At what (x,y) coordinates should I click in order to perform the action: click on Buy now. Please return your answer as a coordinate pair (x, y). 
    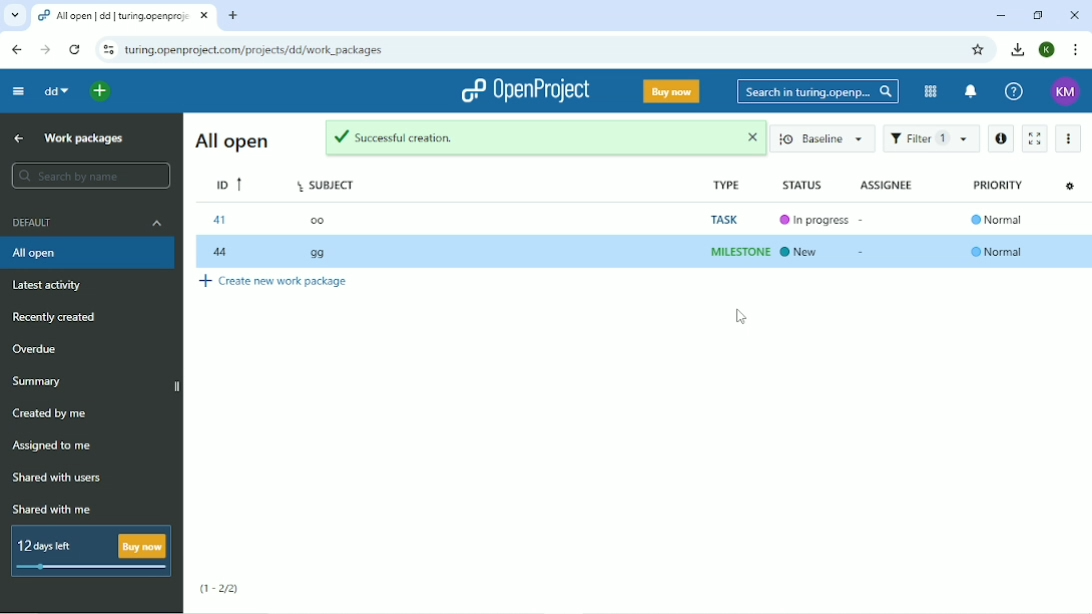
    Looking at the image, I should click on (670, 93).